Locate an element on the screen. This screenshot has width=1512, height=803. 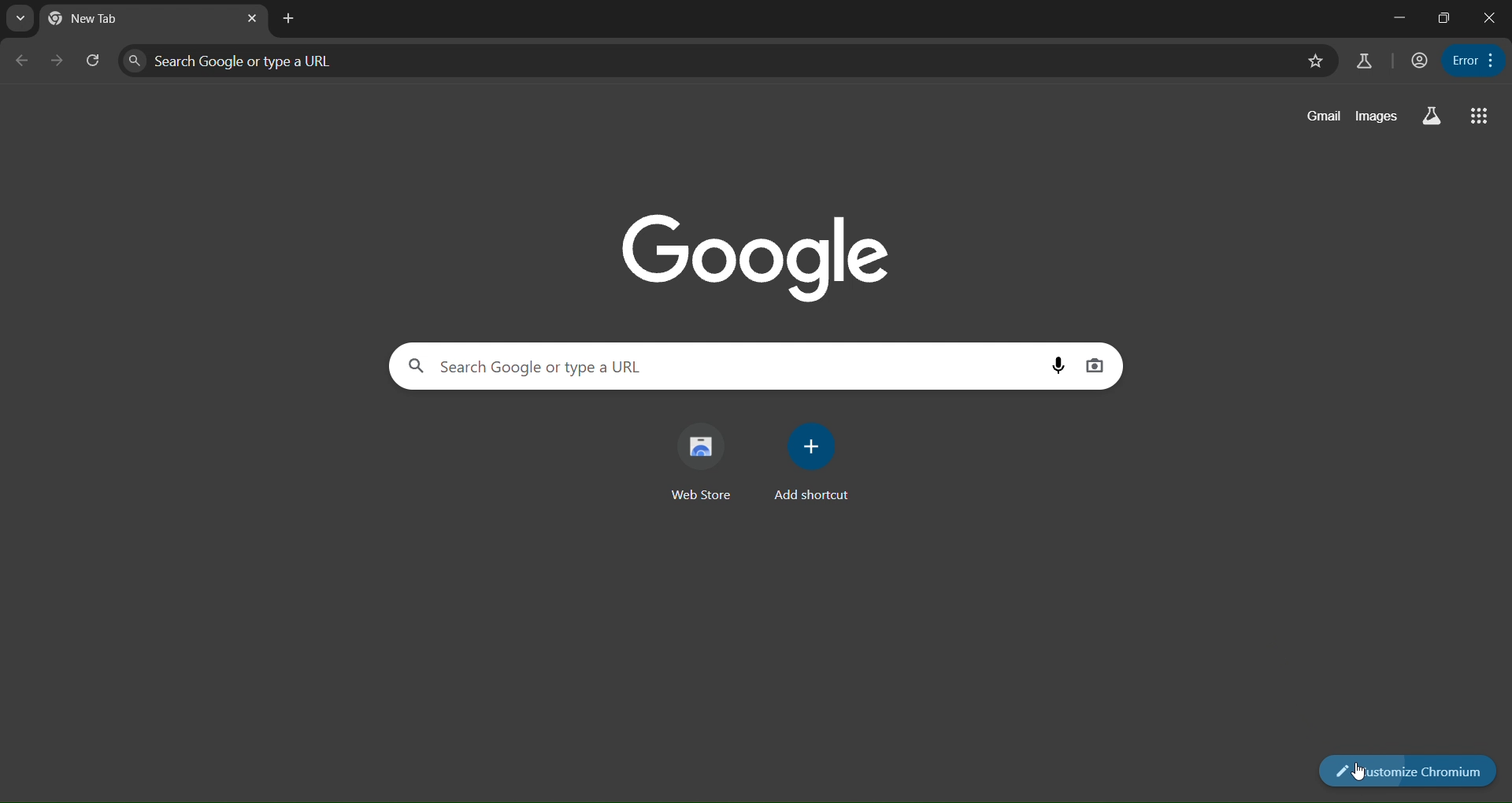
google is located at coordinates (755, 251).